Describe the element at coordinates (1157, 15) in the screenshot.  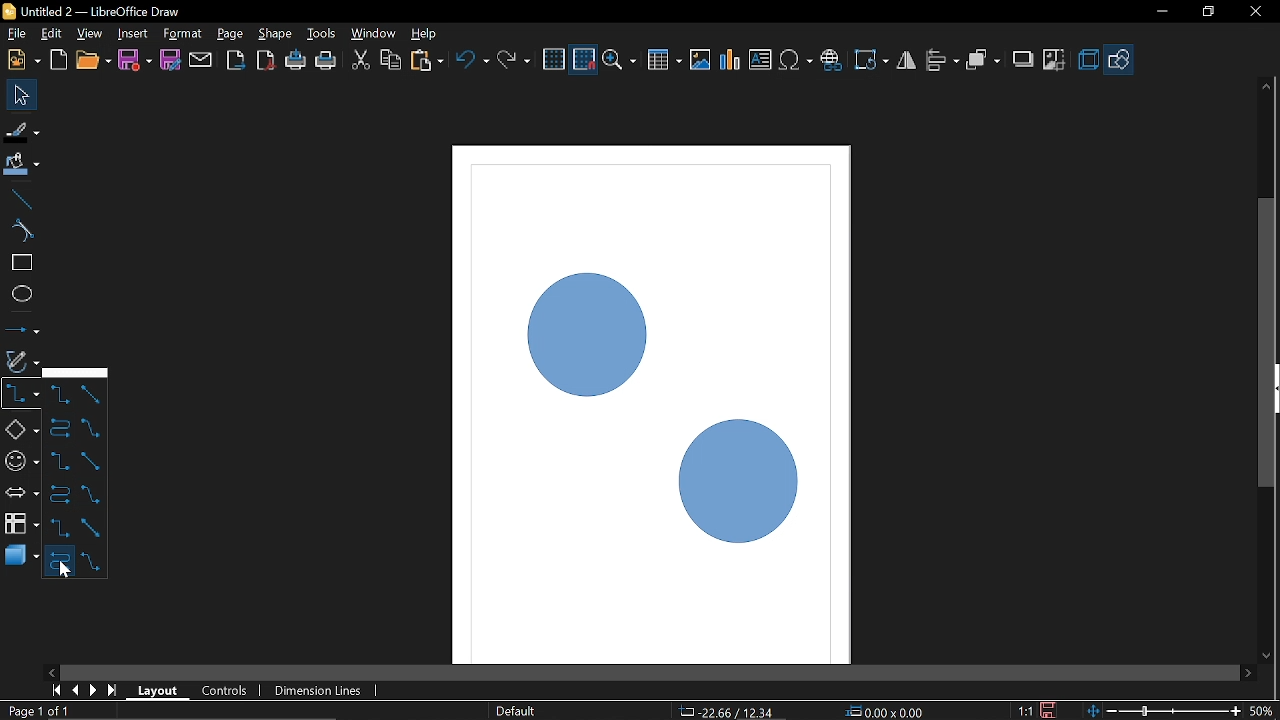
I see `Minimize` at that location.